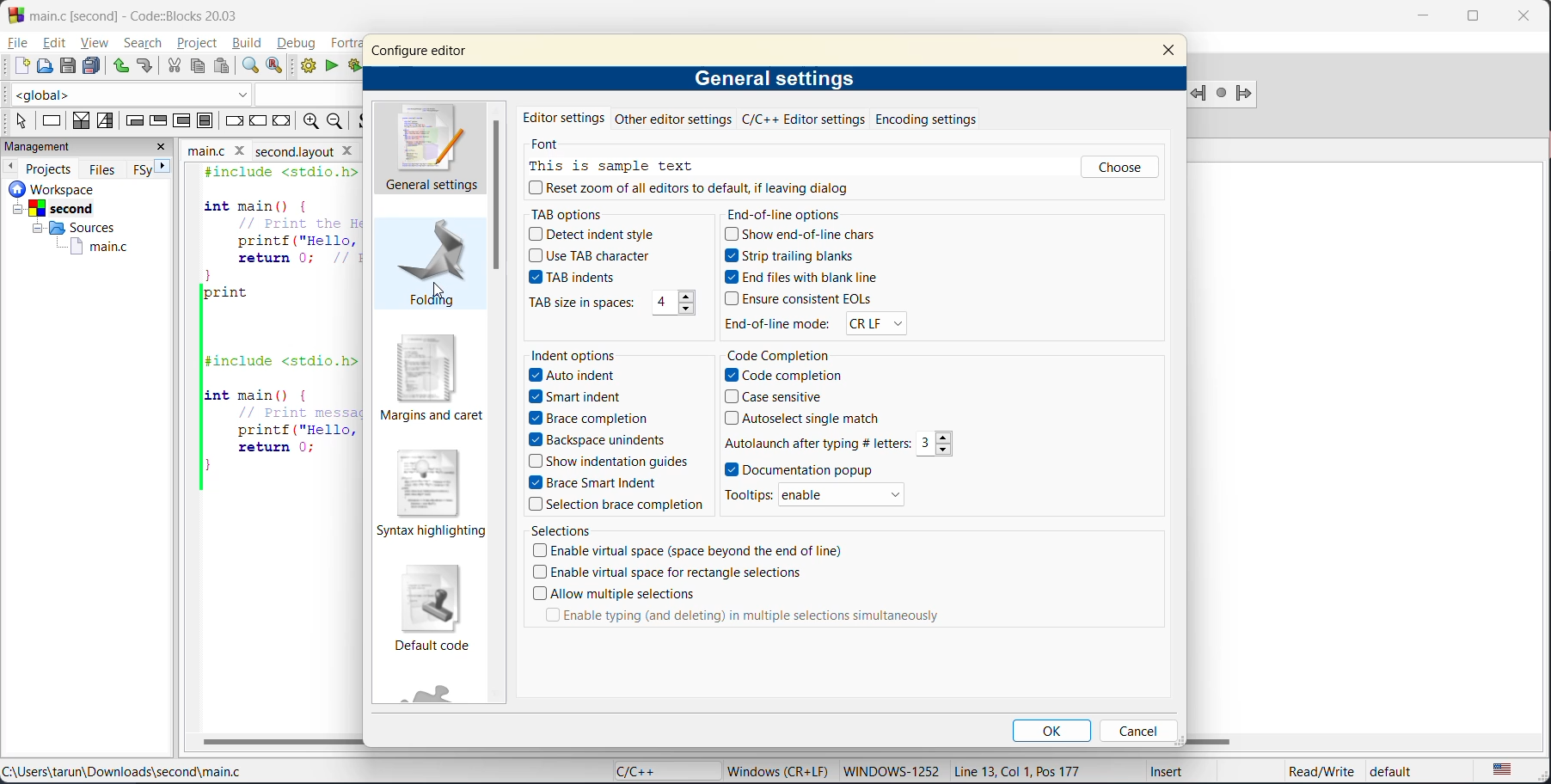 This screenshot has width=1551, height=784. What do you see at coordinates (776, 398) in the screenshot?
I see `Case sensitive` at bounding box center [776, 398].